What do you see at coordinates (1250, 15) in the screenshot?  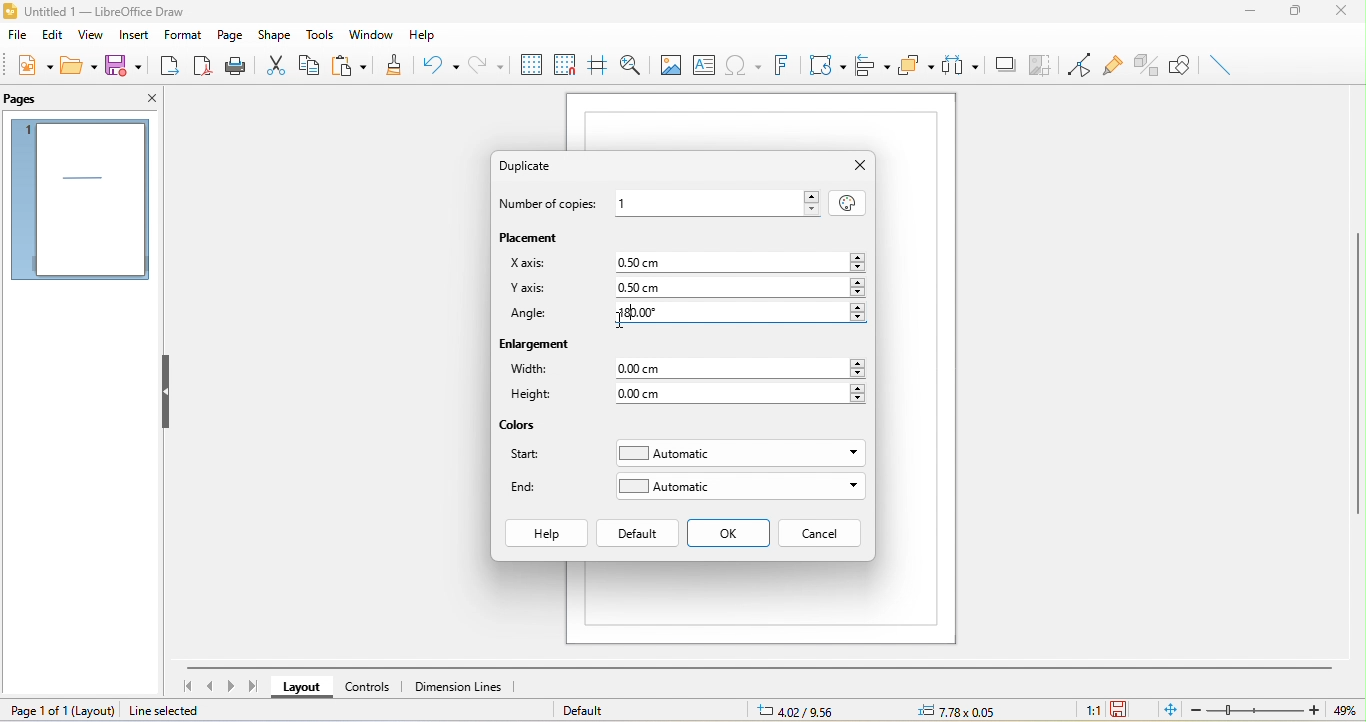 I see `minimize` at bounding box center [1250, 15].